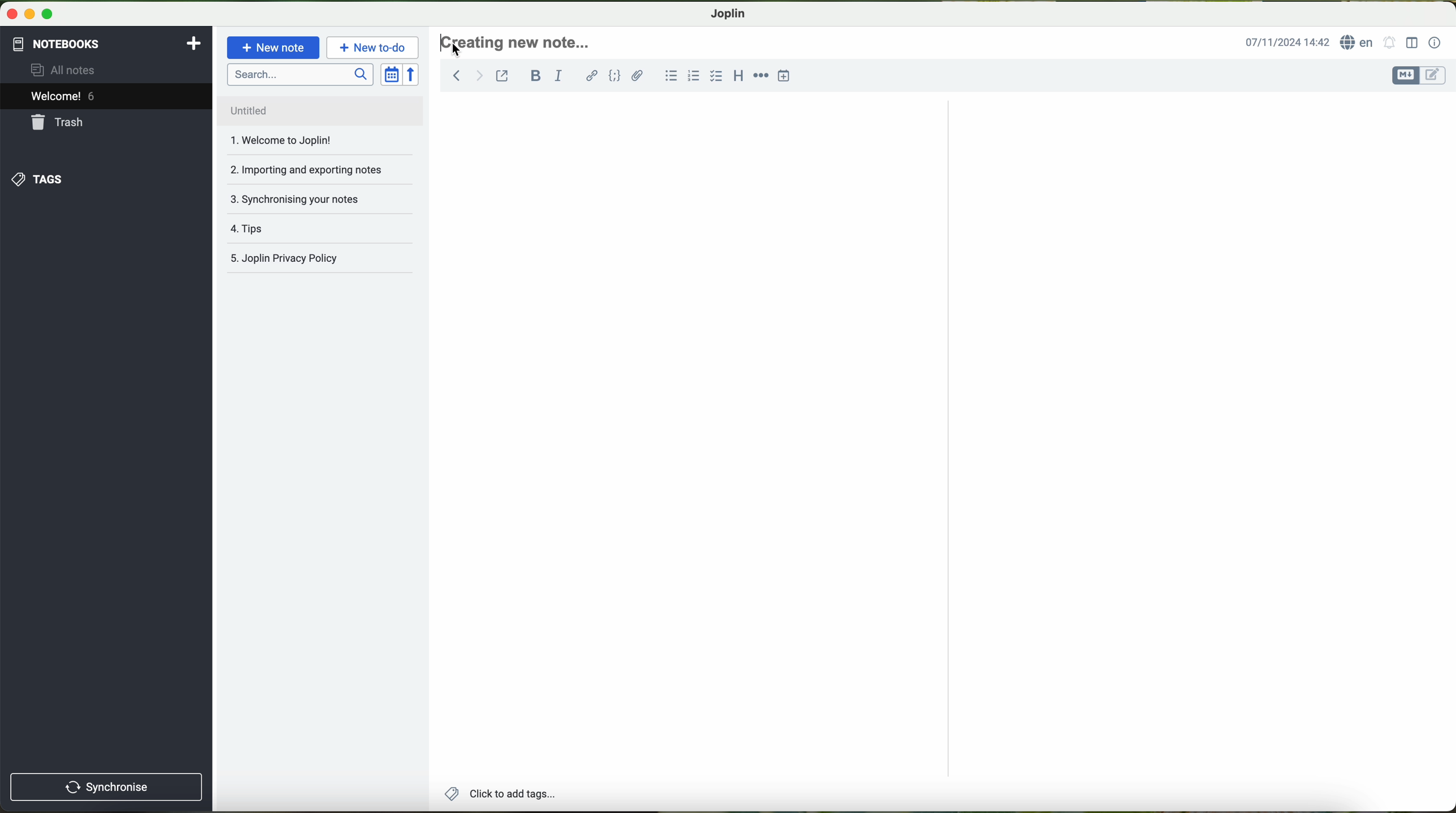 This screenshot has width=1456, height=813. I want to click on welcome to joplin, so click(307, 141).